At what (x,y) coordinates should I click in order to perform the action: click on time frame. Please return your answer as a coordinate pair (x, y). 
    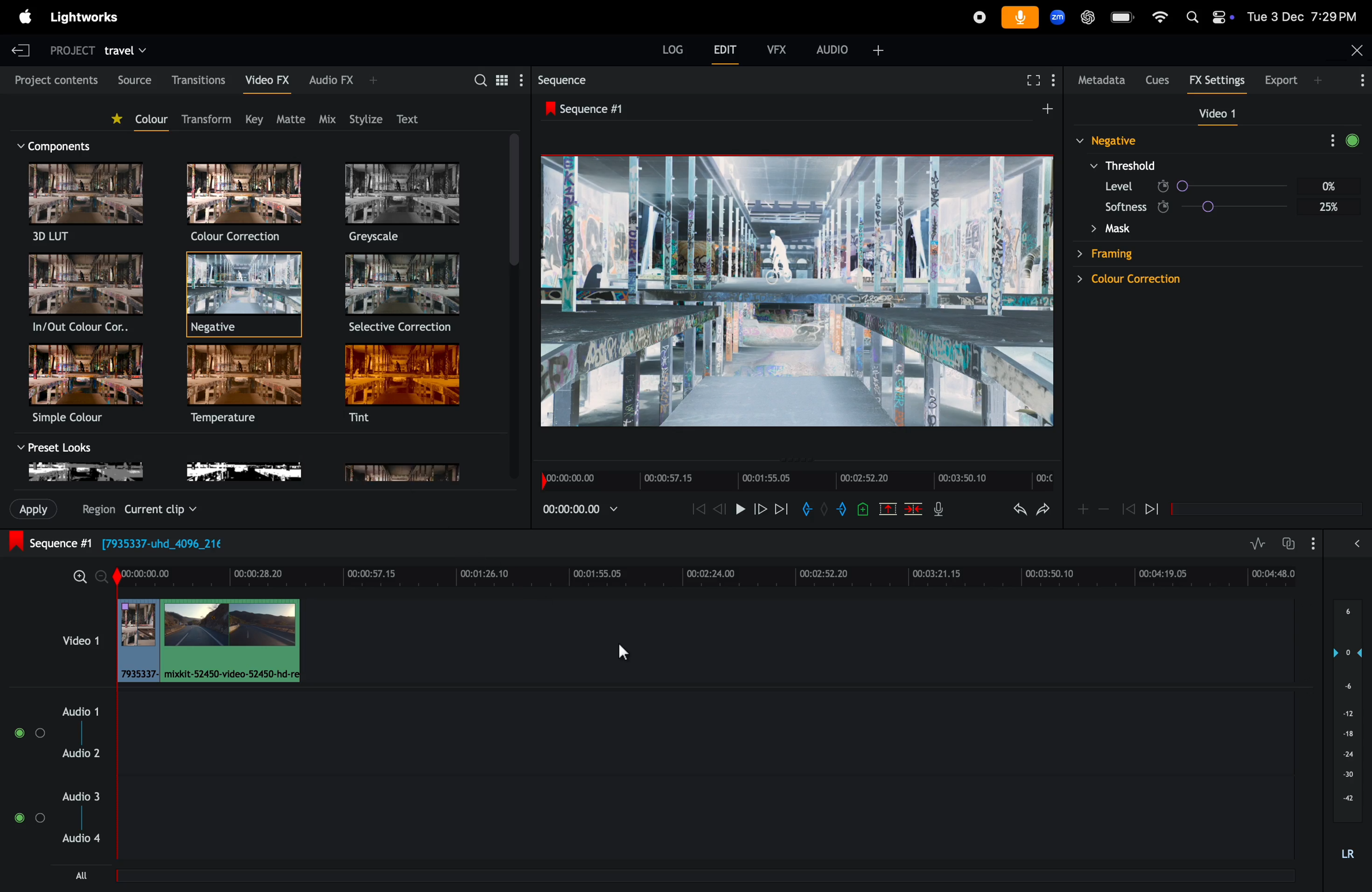
    Looking at the image, I should click on (710, 574).